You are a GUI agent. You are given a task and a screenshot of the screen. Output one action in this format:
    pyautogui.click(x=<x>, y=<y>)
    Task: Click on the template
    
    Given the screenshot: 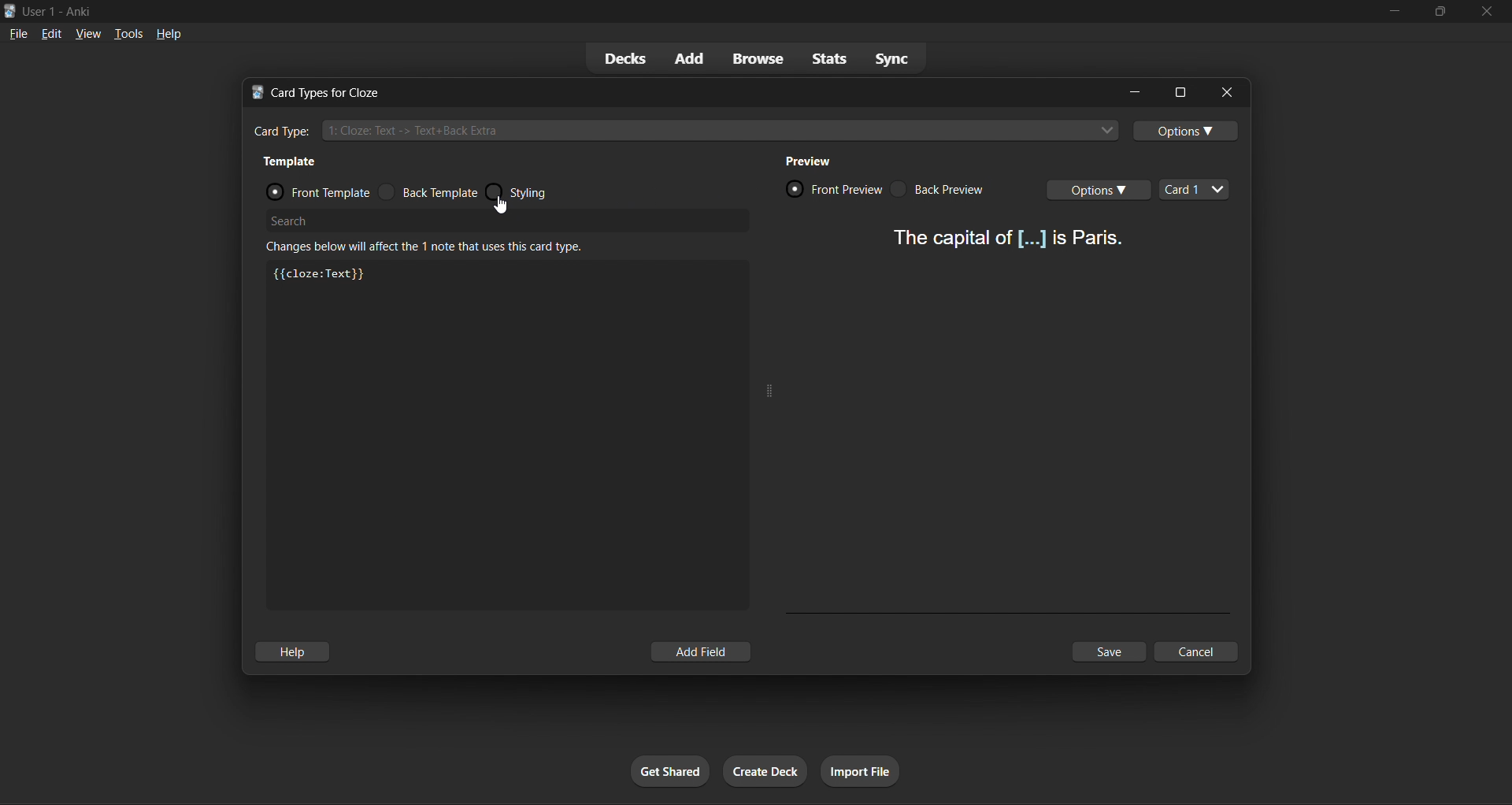 What is the action you would take?
    pyautogui.click(x=297, y=162)
    